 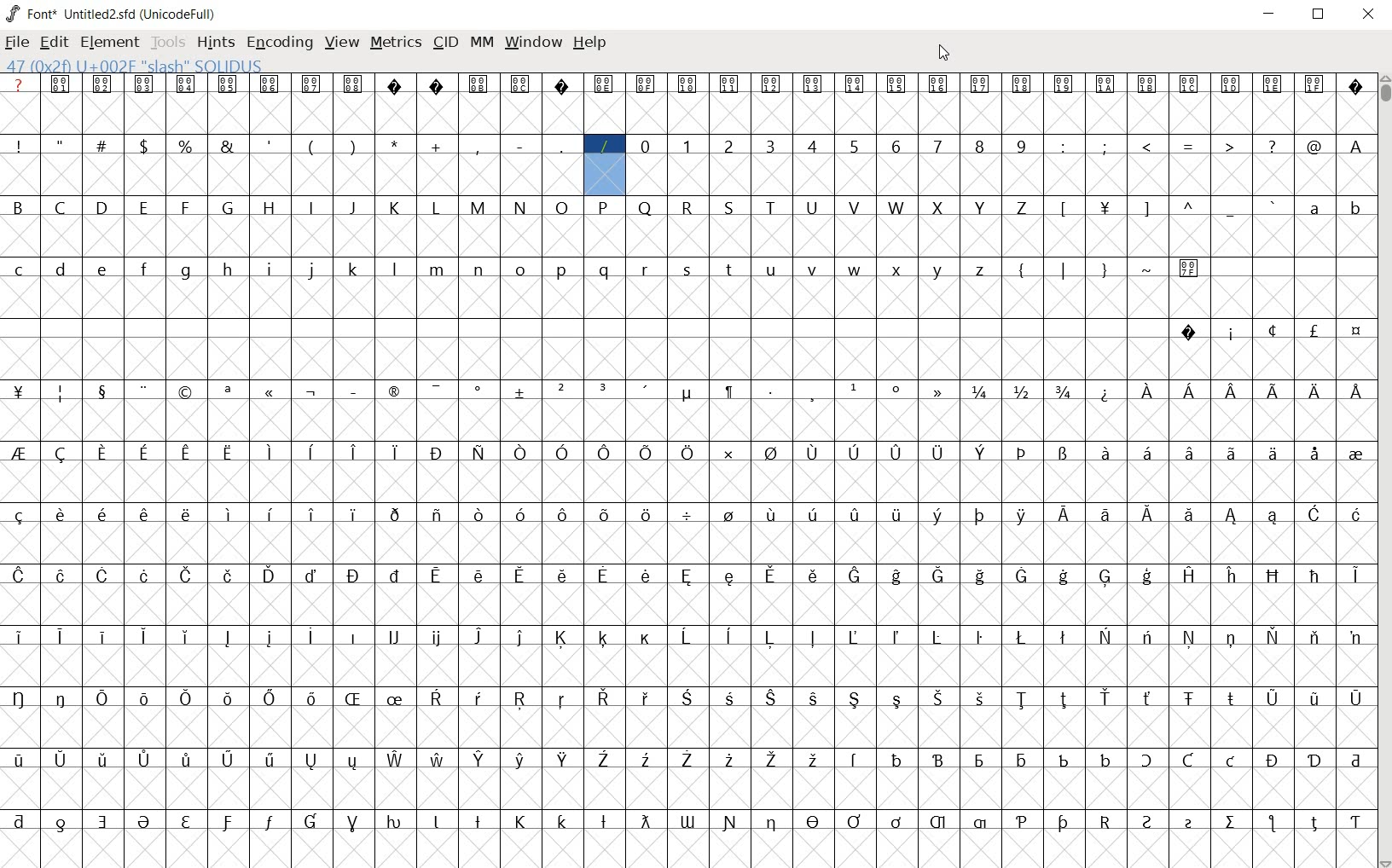 What do you see at coordinates (187, 759) in the screenshot?
I see `glyph` at bounding box center [187, 759].